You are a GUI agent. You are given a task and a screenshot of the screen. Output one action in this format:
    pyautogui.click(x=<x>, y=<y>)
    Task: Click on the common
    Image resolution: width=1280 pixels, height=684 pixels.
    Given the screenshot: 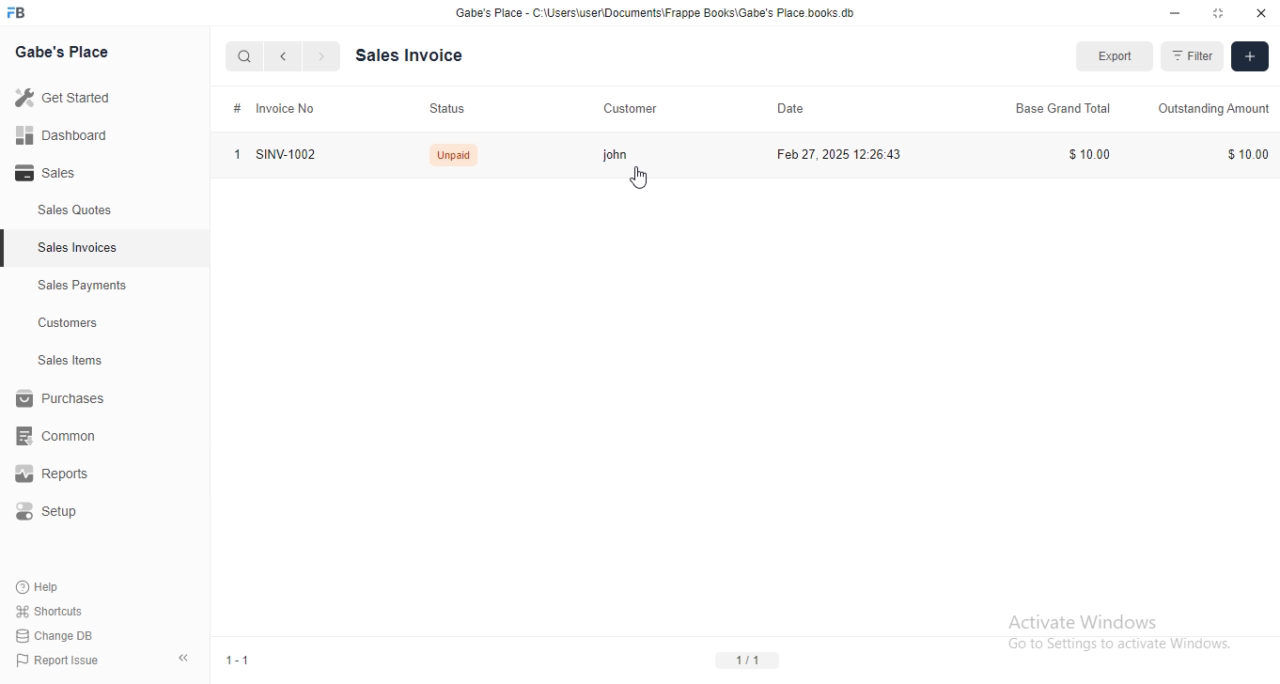 What is the action you would take?
    pyautogui.click(x=55, y=436)
    